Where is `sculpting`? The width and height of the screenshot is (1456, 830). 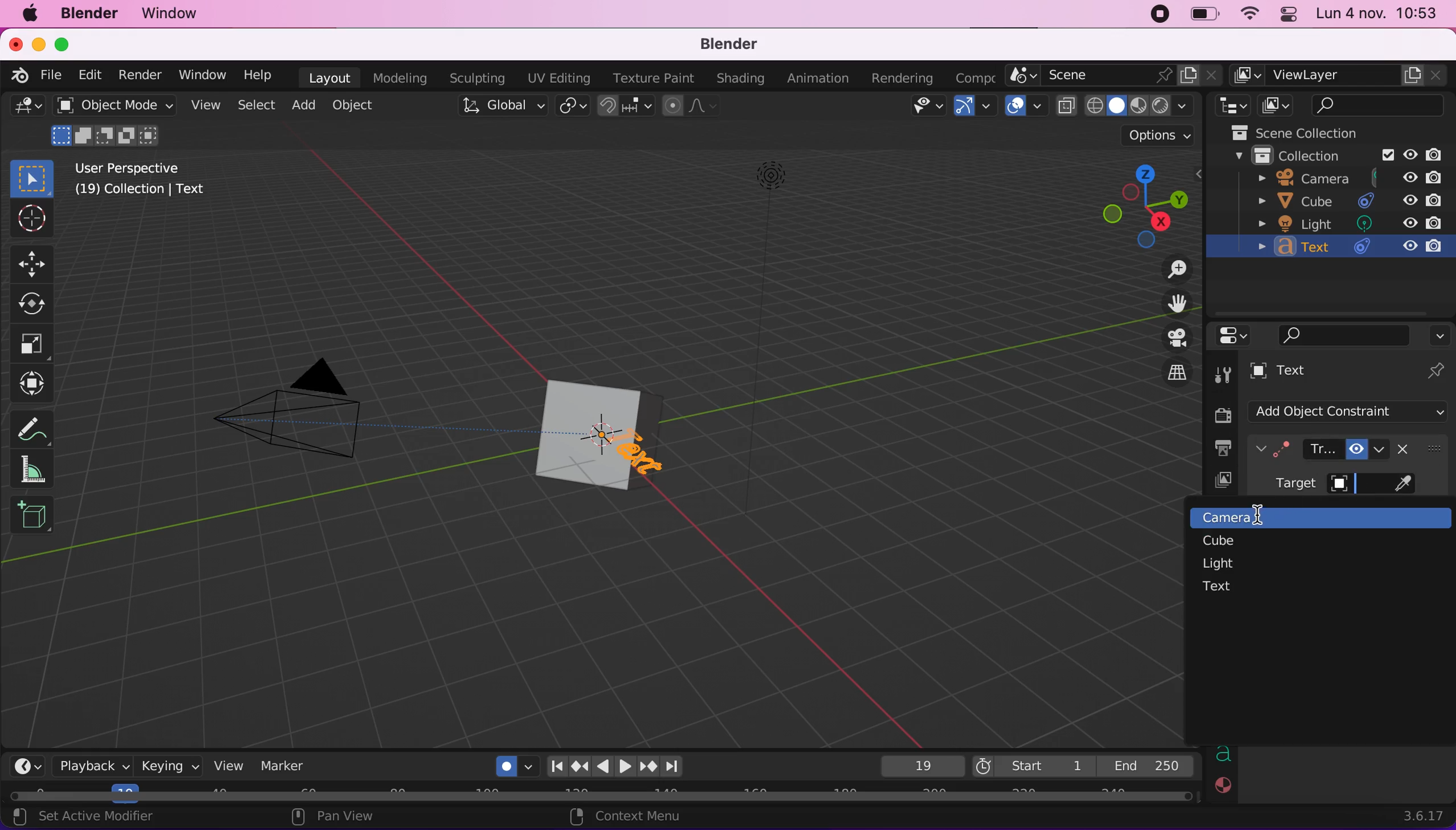
sculpting is located at coordinates (480, 79).